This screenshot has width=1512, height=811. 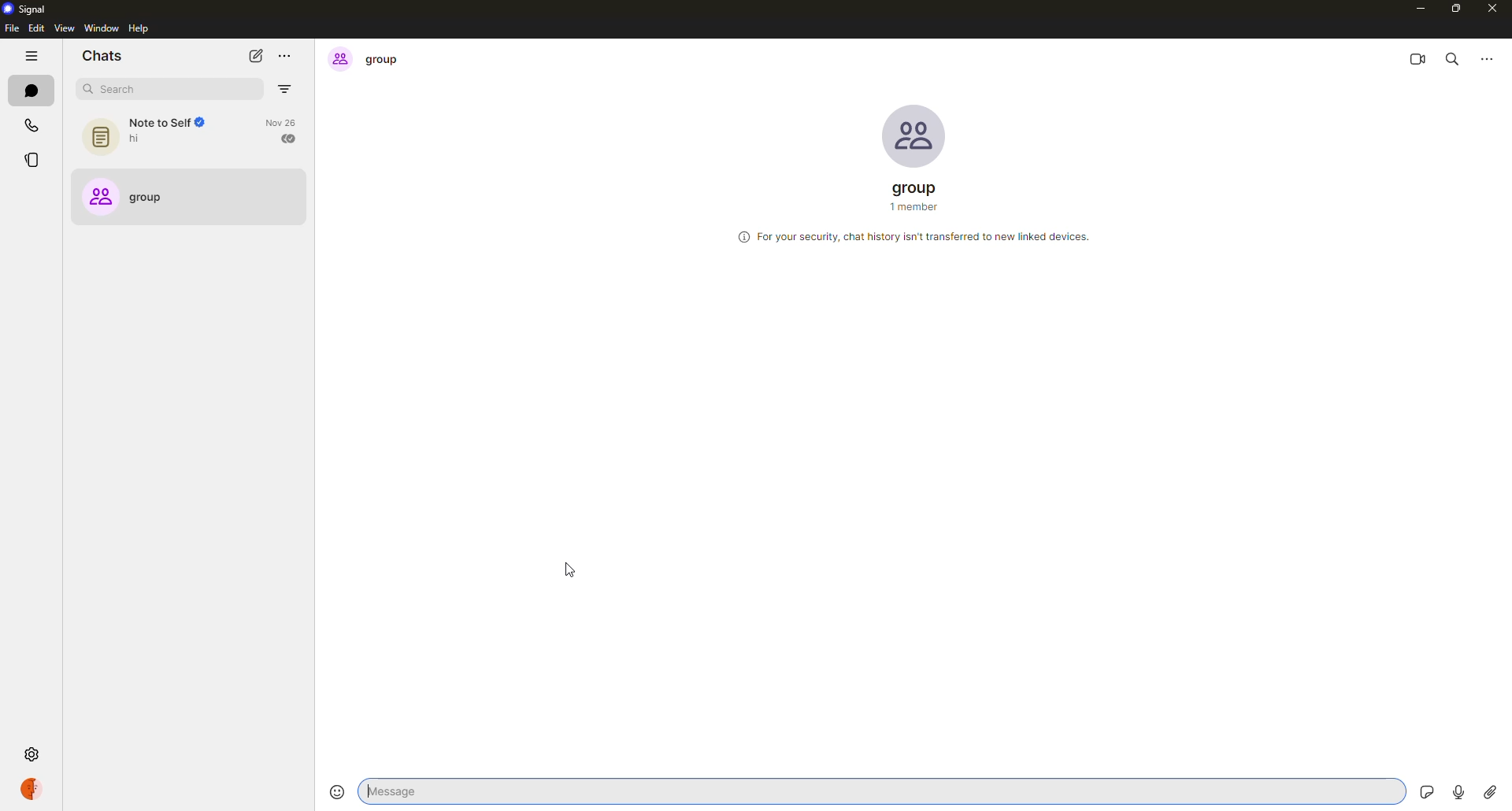 I want to click on stories, so click(x=35, y=160).